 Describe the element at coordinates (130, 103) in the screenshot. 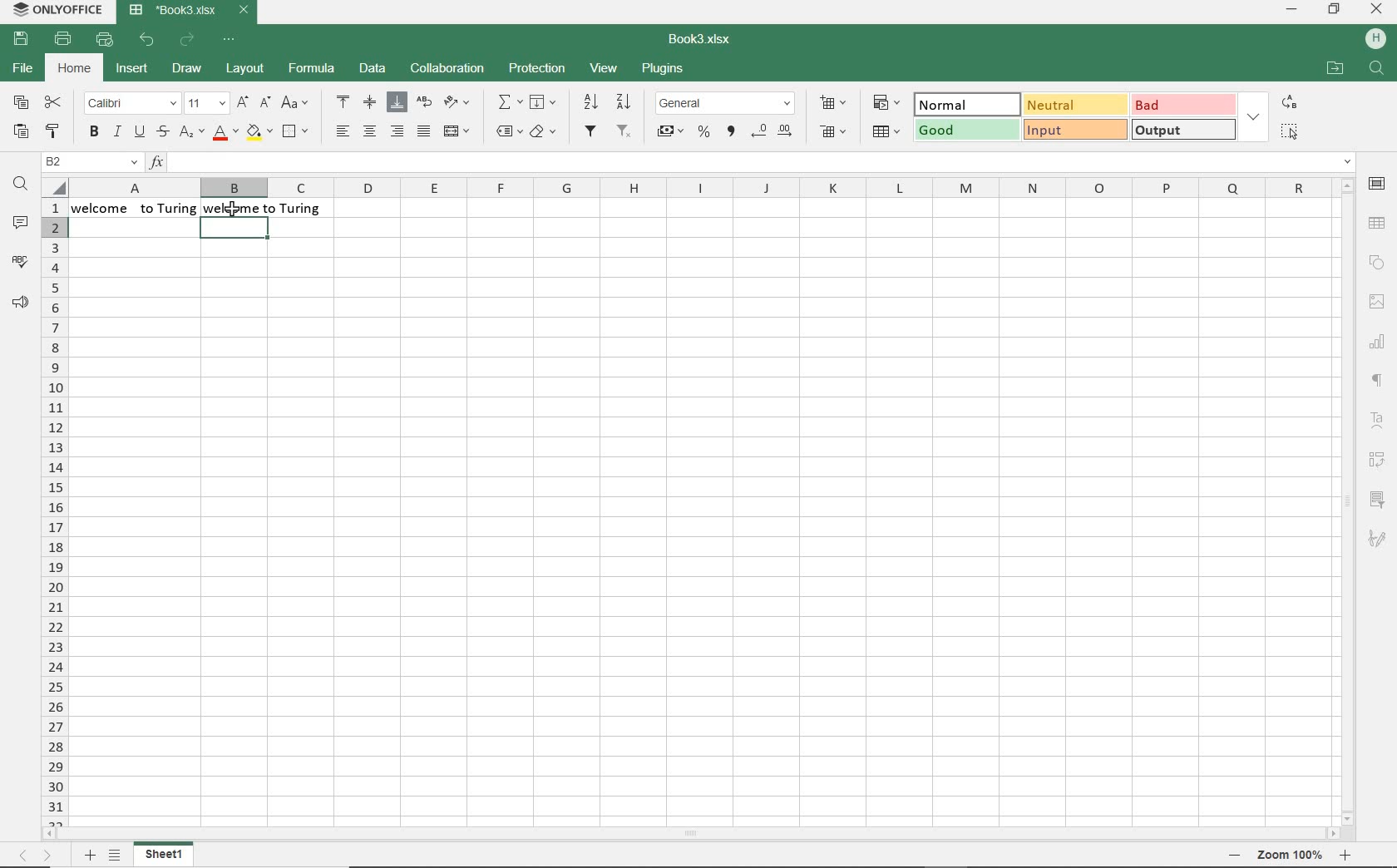

I see `font` at that location.